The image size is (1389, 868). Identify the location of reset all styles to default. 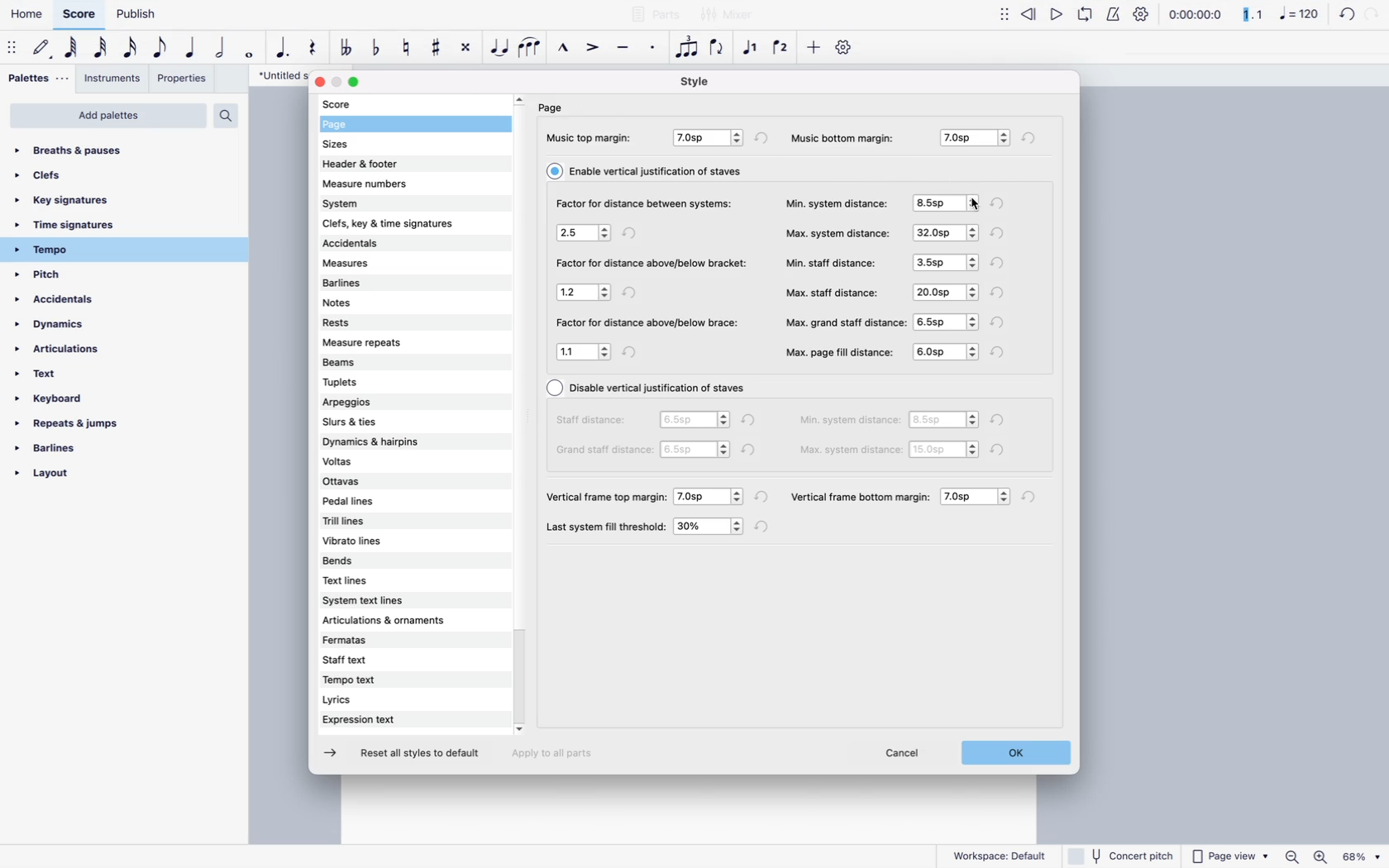
(421, 755).